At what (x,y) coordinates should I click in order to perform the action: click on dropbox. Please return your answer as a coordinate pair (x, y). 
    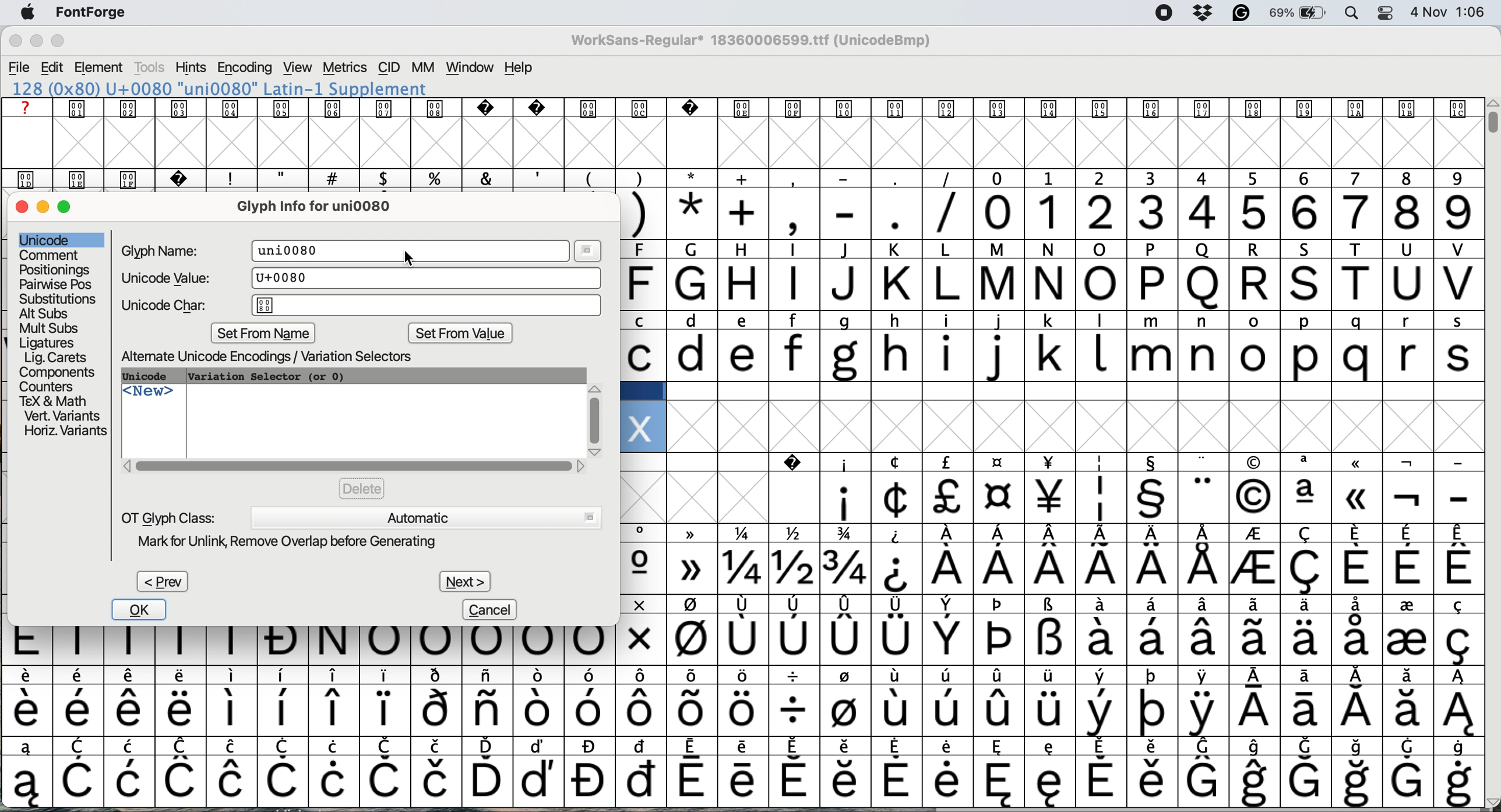
    Looking at the image, I should click on (1201, 13).